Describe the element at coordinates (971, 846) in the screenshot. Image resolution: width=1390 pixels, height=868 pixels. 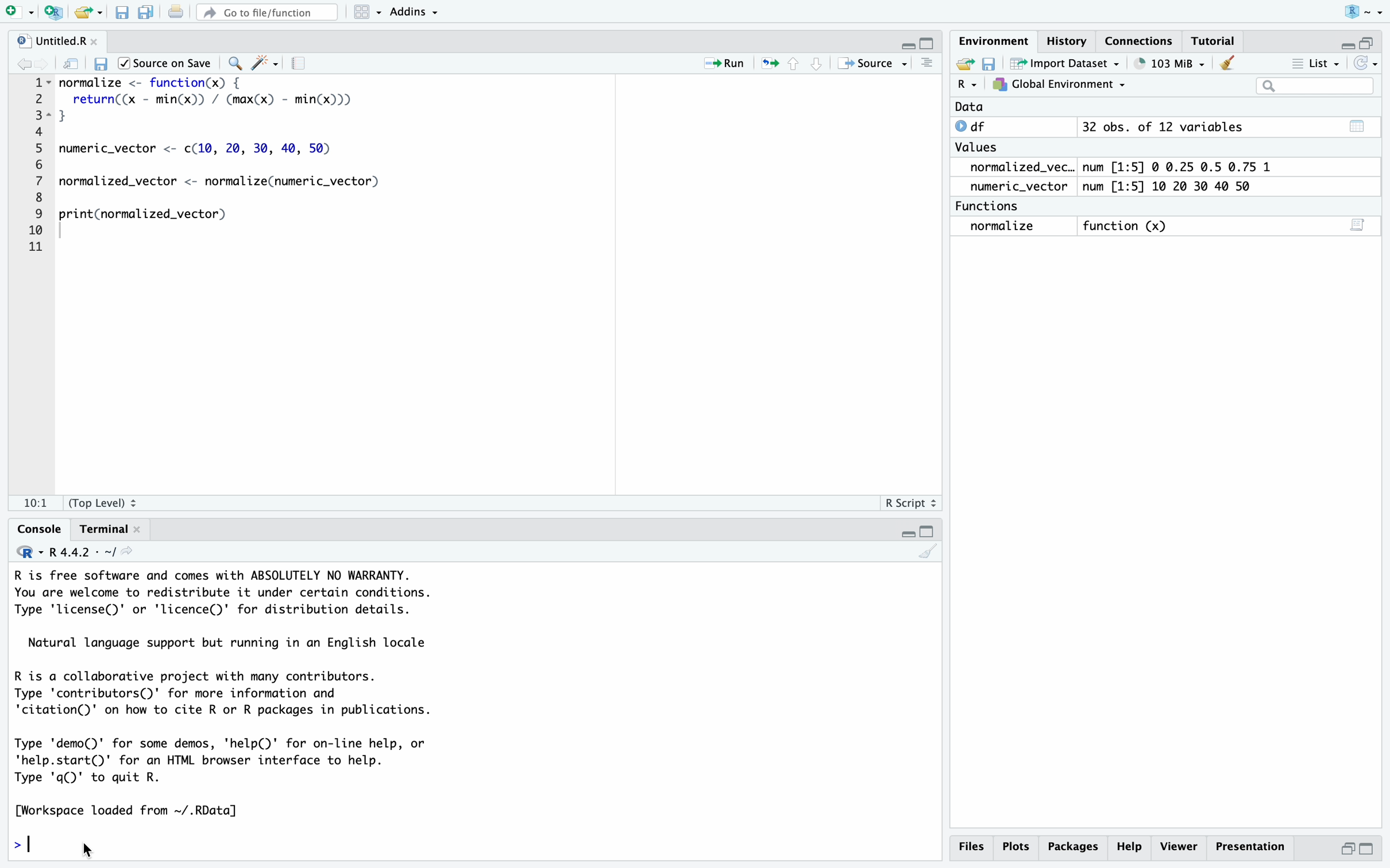
I see `Files` at that location.